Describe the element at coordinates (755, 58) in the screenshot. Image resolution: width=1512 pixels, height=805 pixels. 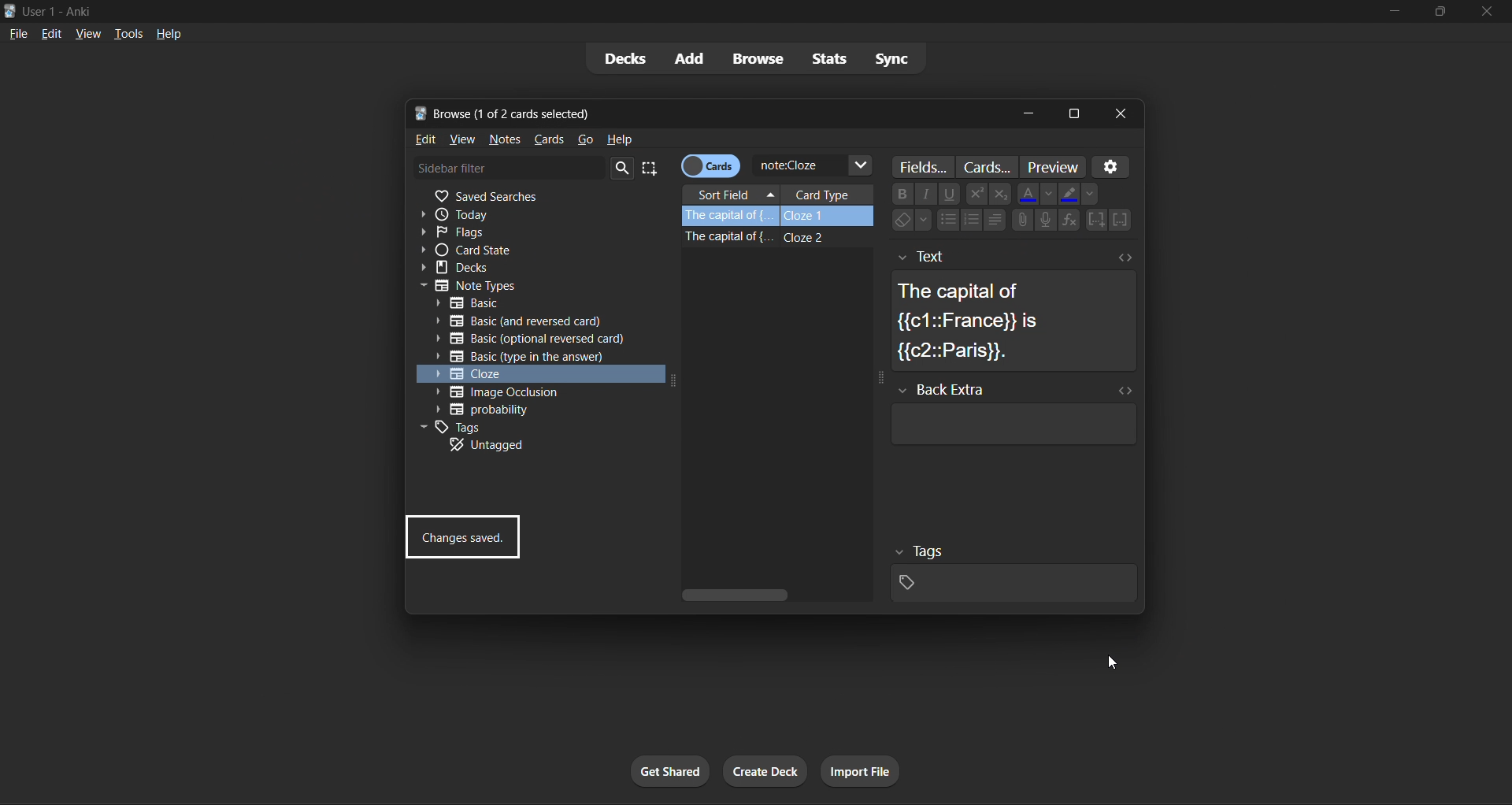
I see `browse` at that location.